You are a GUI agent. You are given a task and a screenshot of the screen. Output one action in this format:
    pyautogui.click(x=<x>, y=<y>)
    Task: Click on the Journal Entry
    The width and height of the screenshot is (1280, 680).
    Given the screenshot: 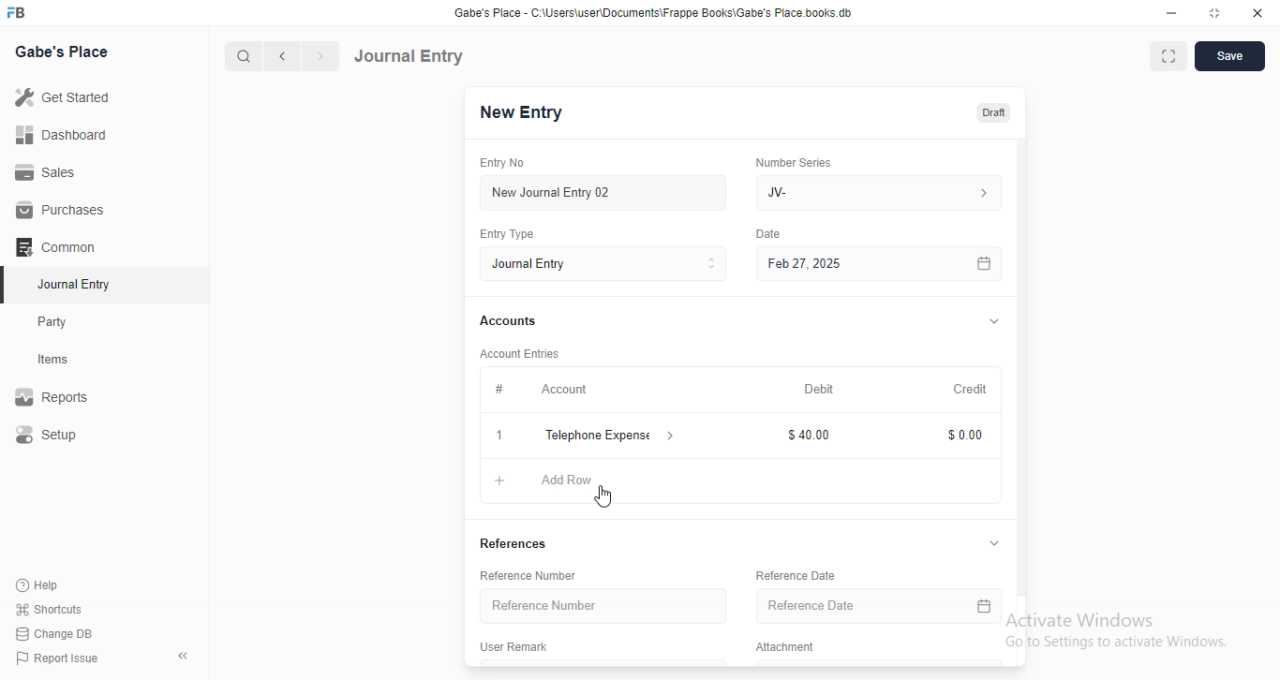 What is the action you would take?
    pyautogui.click(x=603, y=264)
    